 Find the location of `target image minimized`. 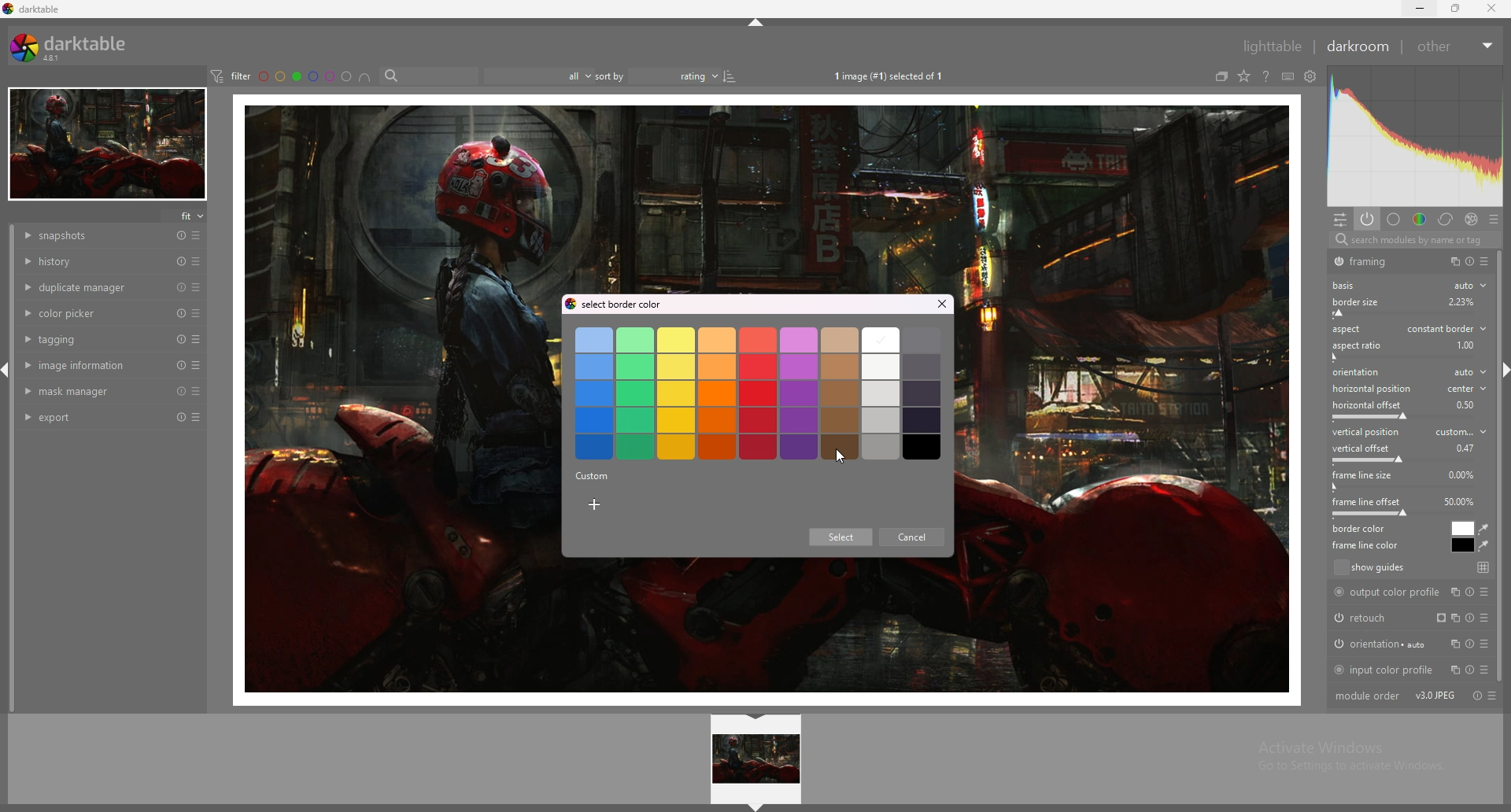

target image minimized is located at coordinates (106, 145).